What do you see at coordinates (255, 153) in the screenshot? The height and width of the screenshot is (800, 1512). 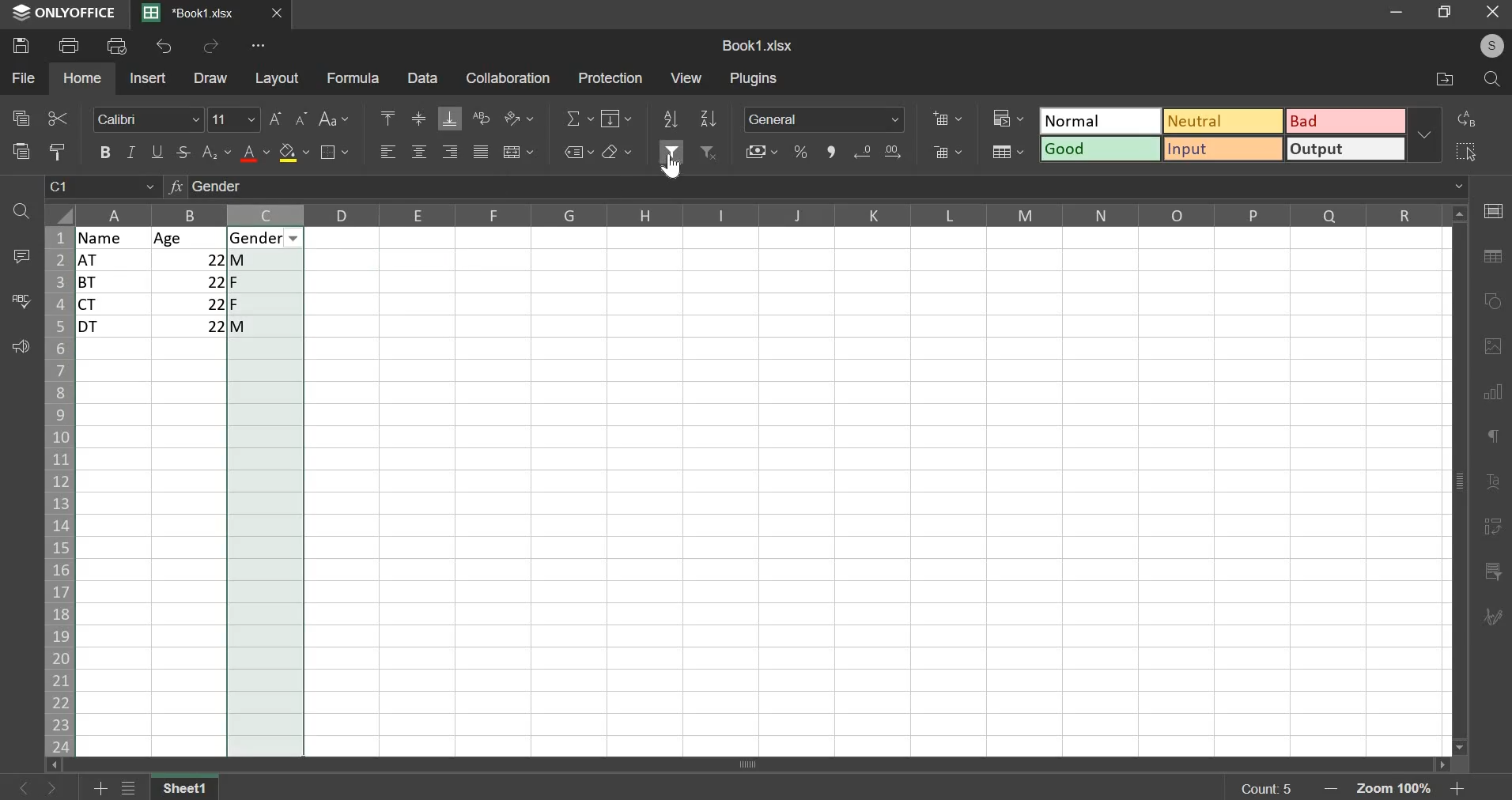 I see `font color` at bounding box center [255, 153].